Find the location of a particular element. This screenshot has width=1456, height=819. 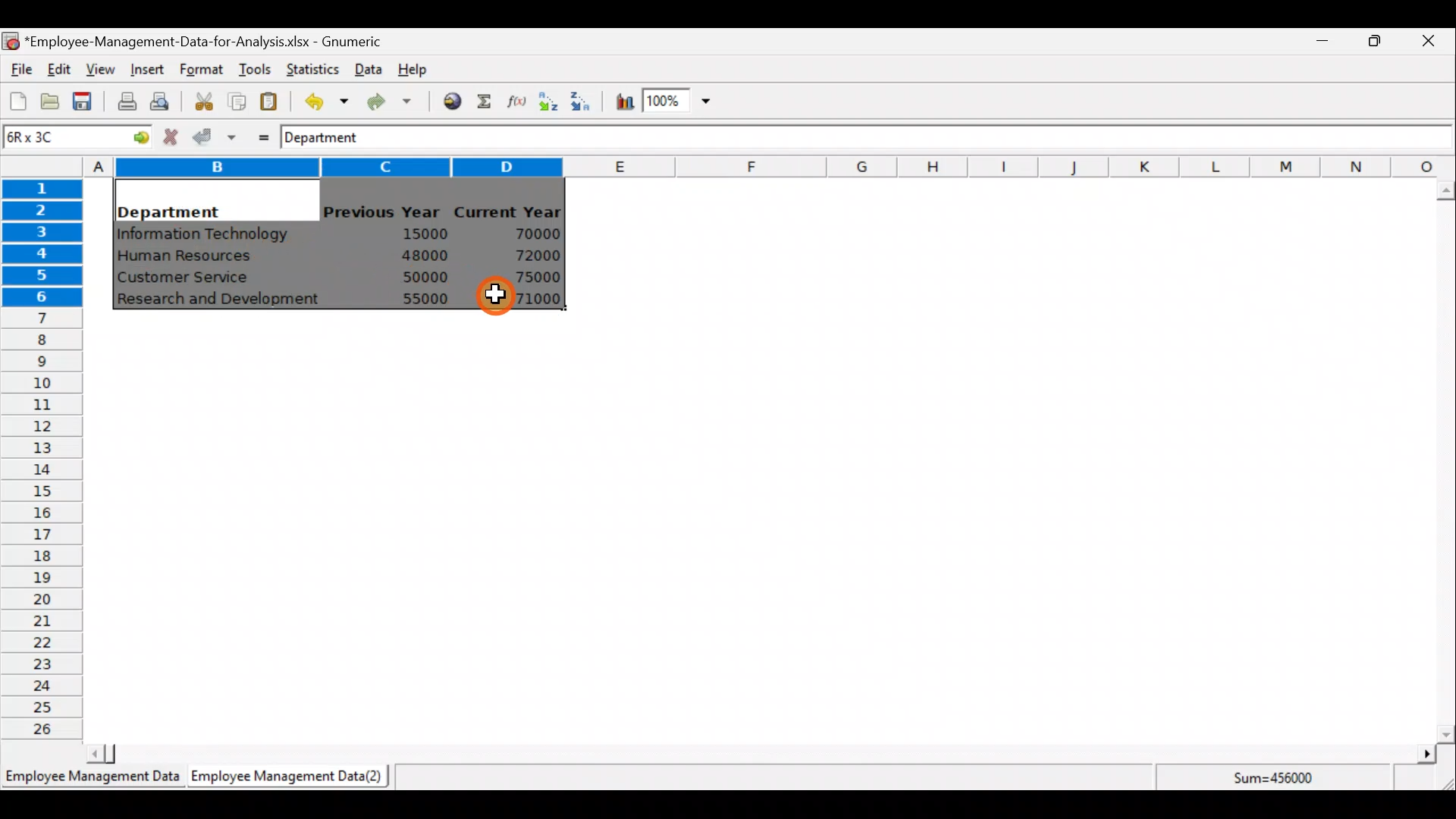

Cells is located at coordinates (761, 534).